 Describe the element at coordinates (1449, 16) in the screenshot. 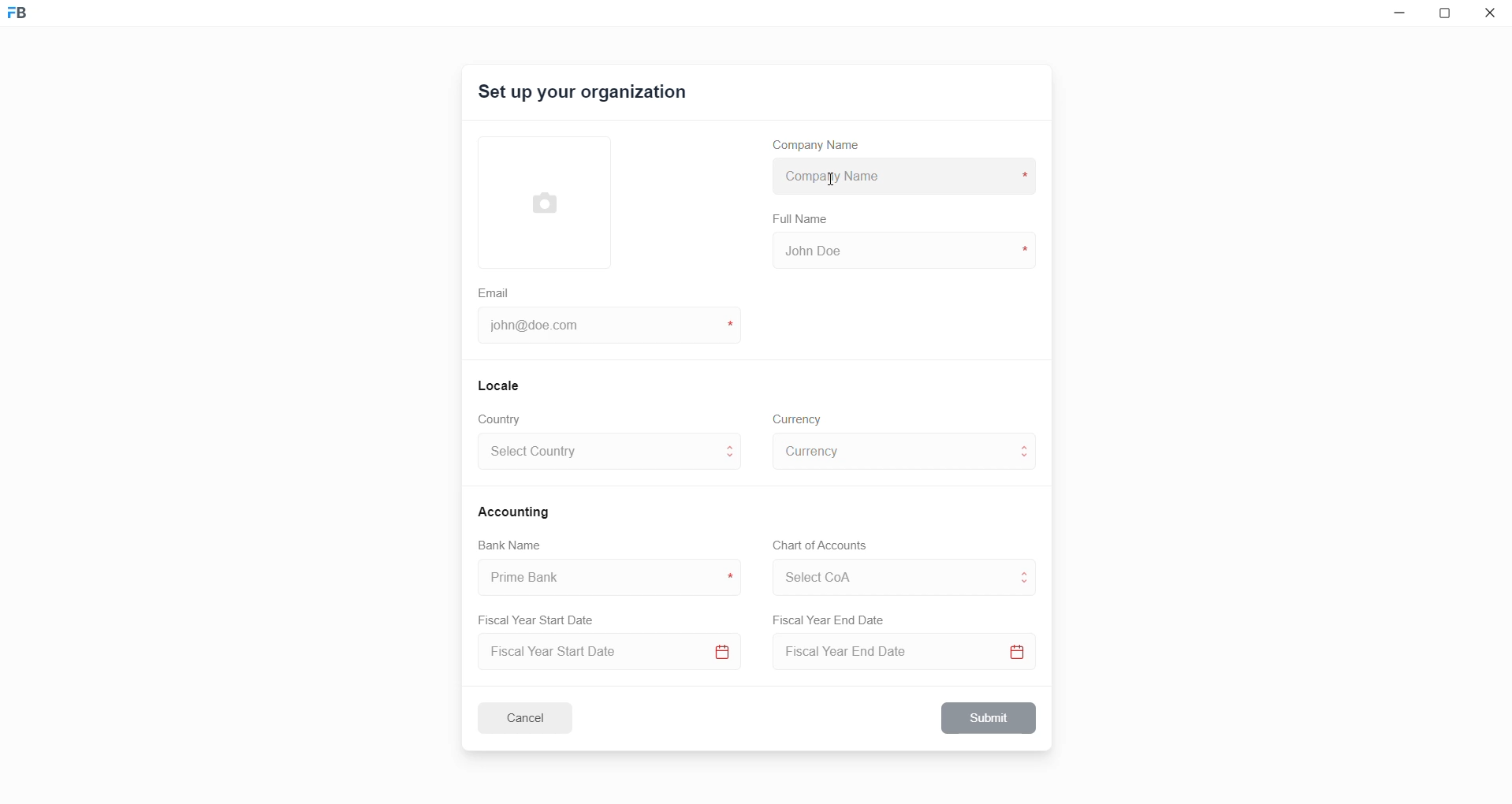

I see `resize ` at that location.